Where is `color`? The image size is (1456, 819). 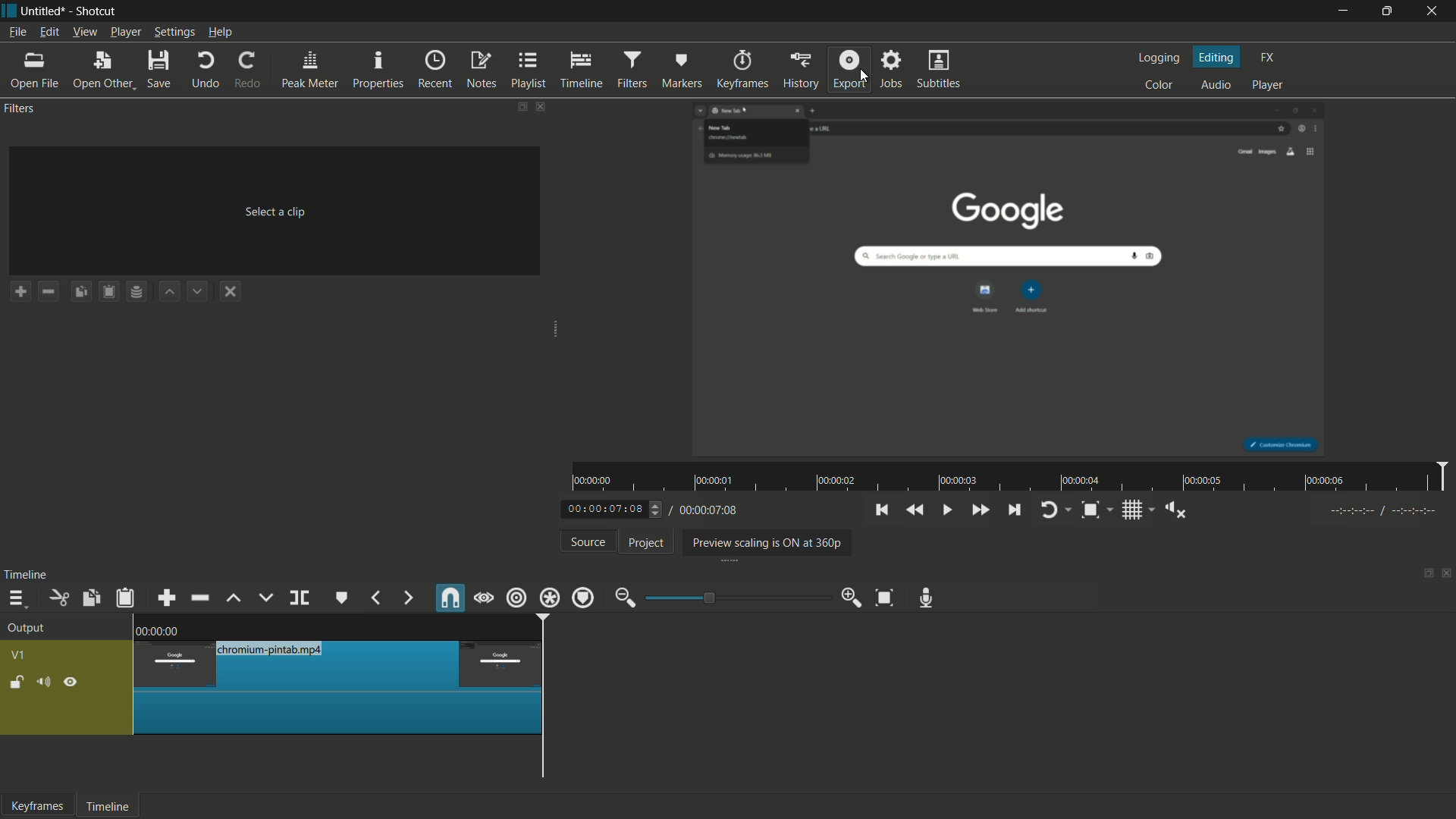 color is located at coordinates (1161, 84).